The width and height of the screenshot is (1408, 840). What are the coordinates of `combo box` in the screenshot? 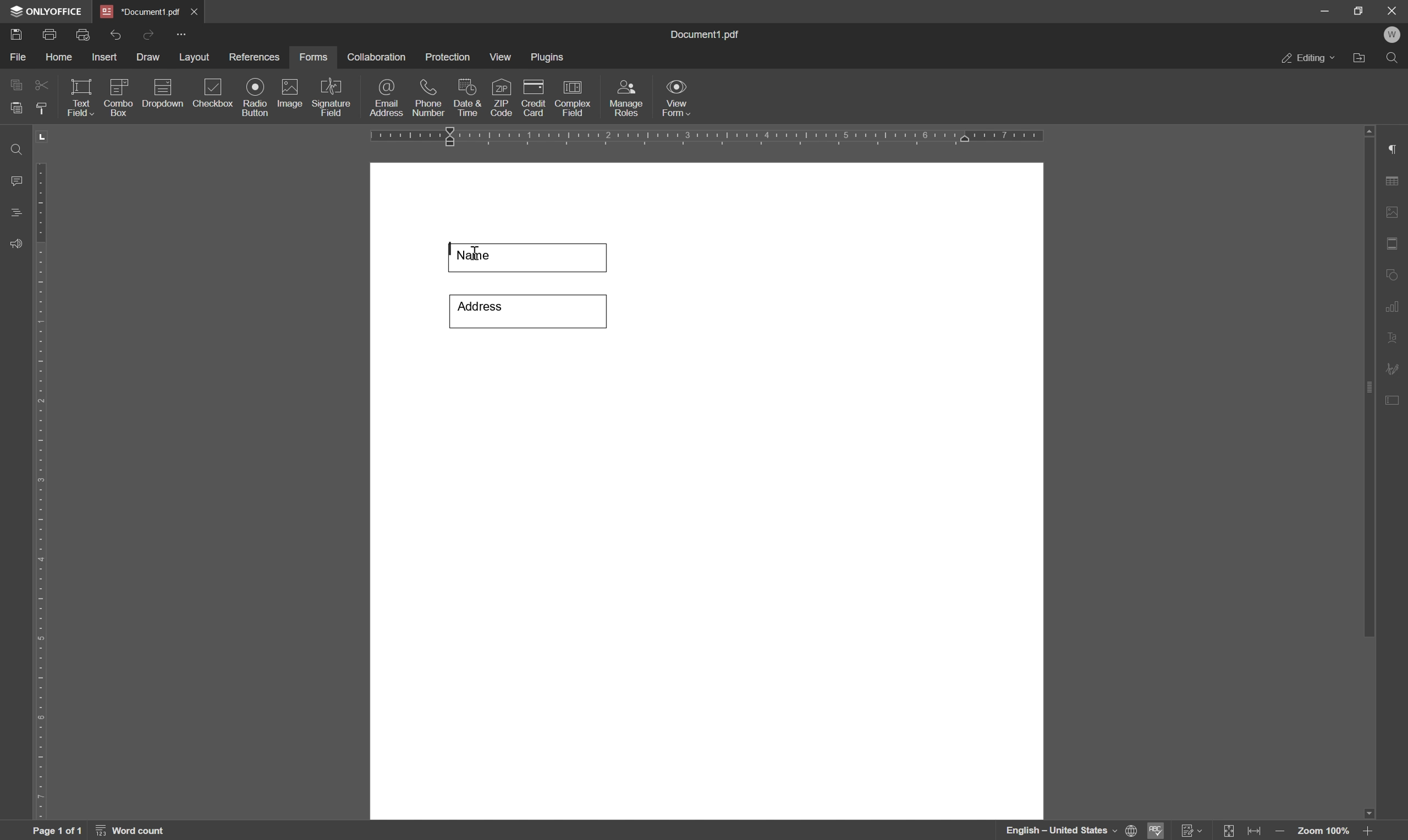 It's located at (119, 96).